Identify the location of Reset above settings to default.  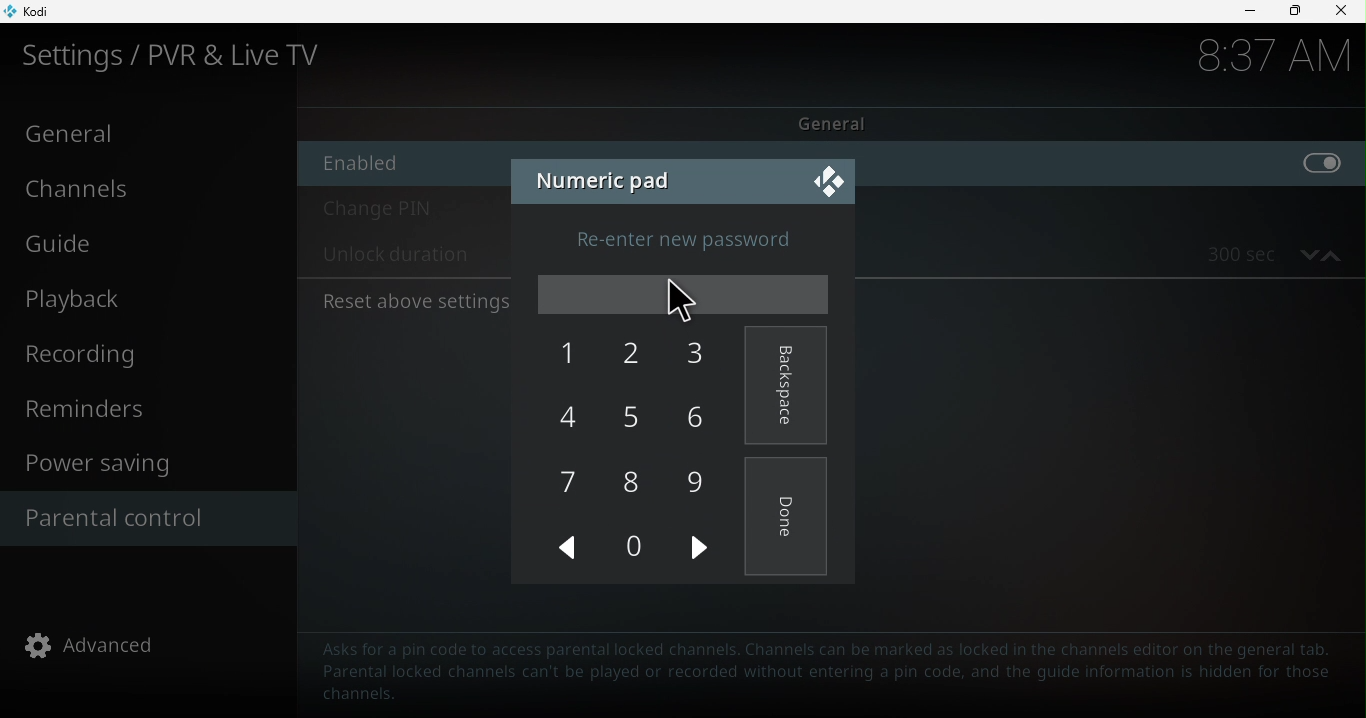
(414, 302).